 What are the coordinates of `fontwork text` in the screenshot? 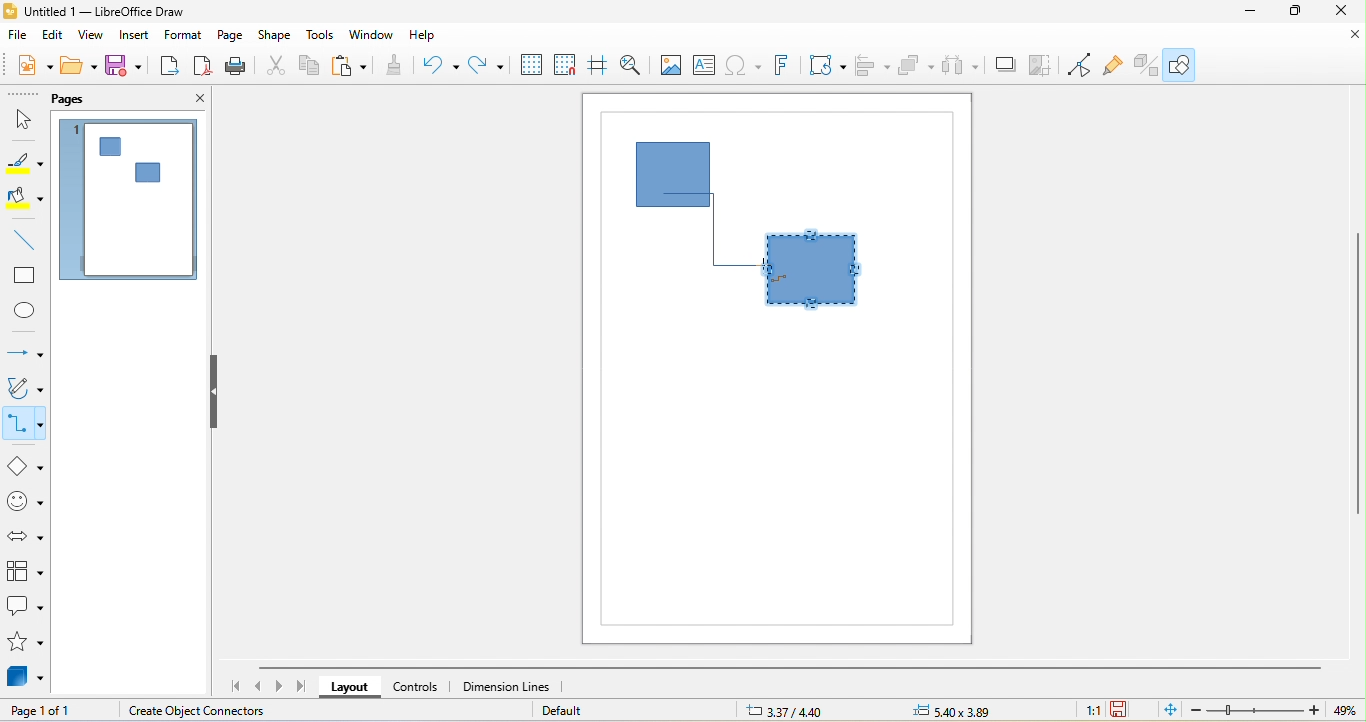 It's located at (788, 65).